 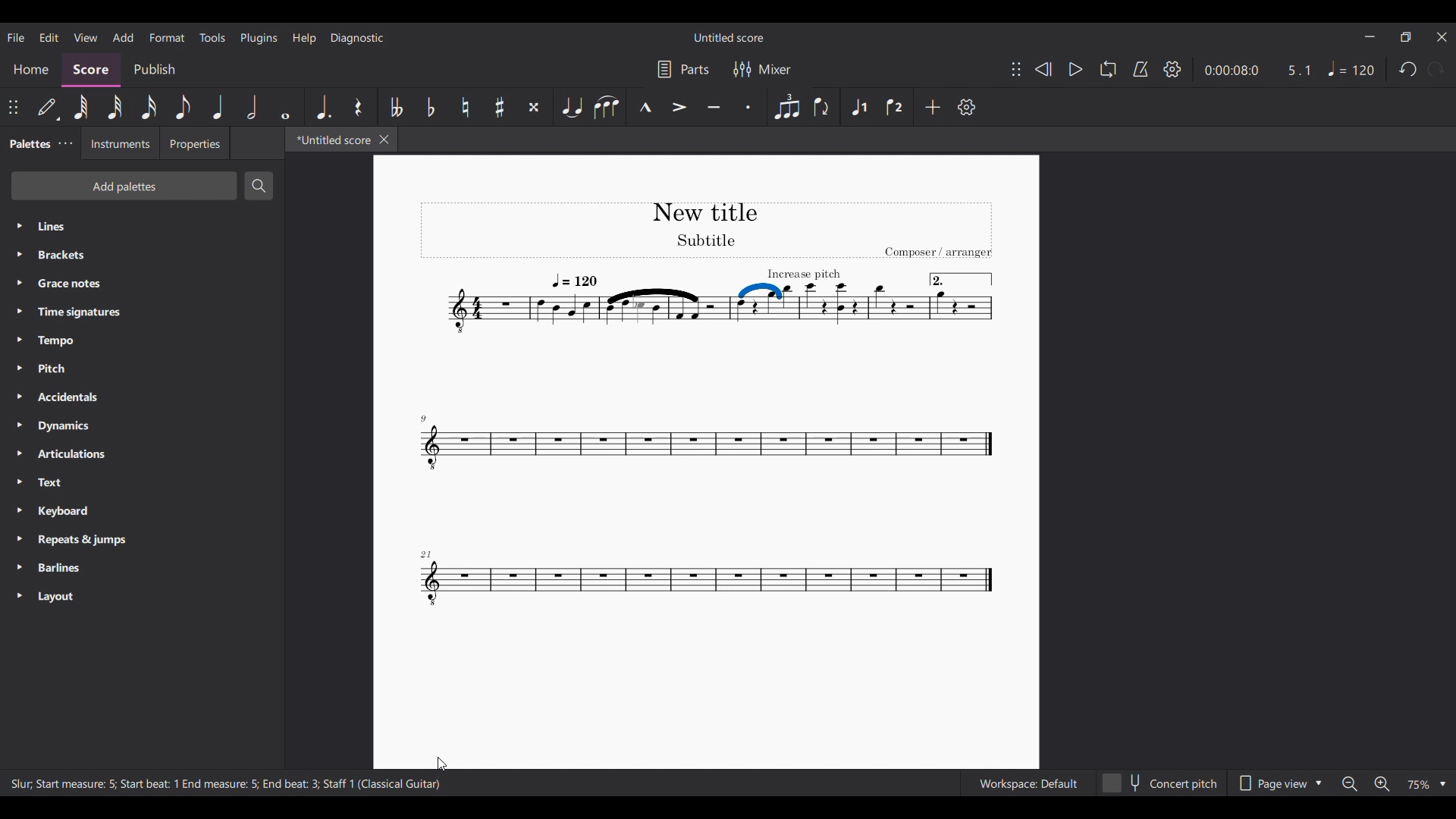 I want to click on Articulations, so click(x=143, y=453).